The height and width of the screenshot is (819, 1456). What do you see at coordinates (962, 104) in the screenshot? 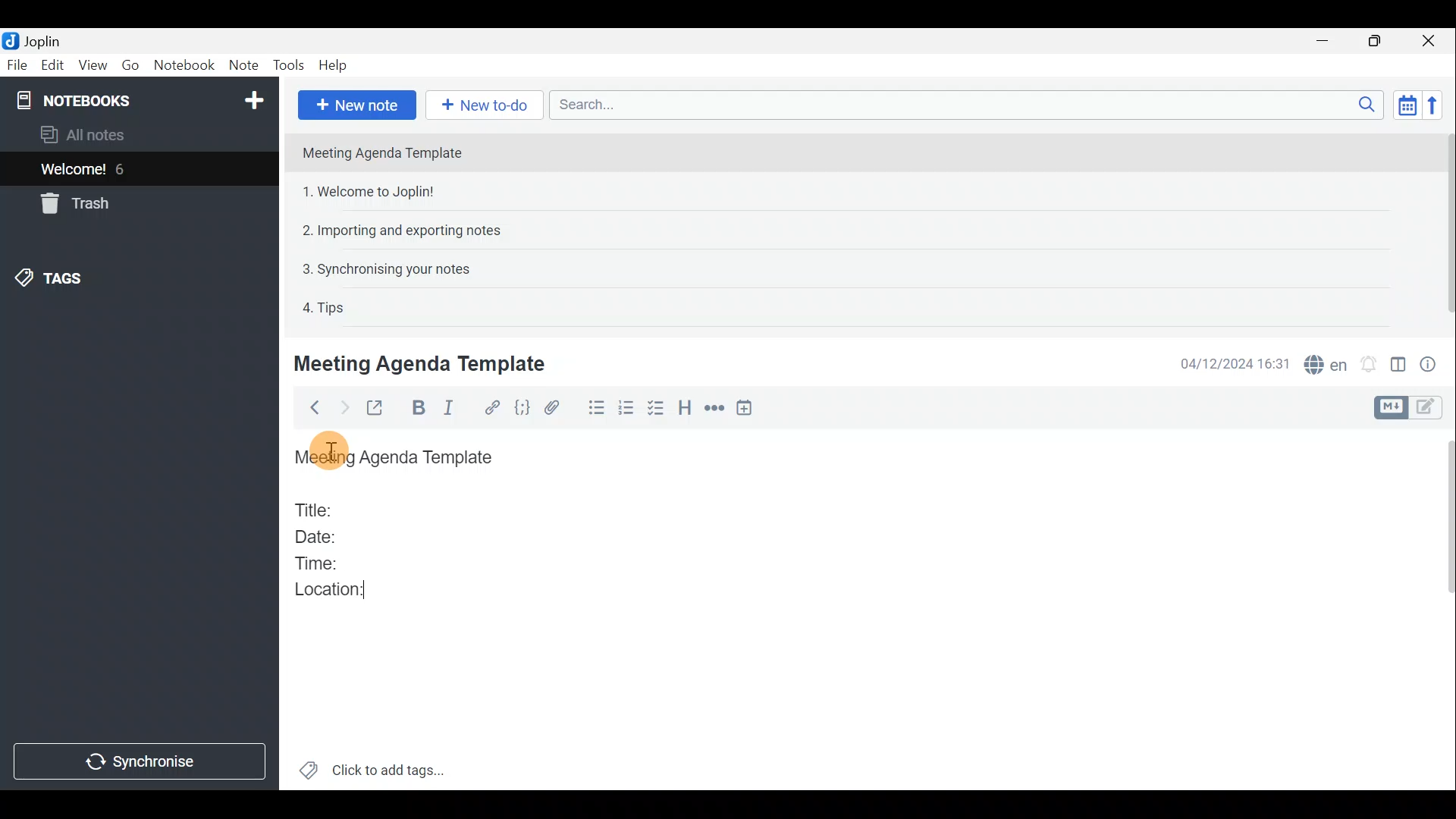
I see `Search bar` at bounding box center [962, 104].